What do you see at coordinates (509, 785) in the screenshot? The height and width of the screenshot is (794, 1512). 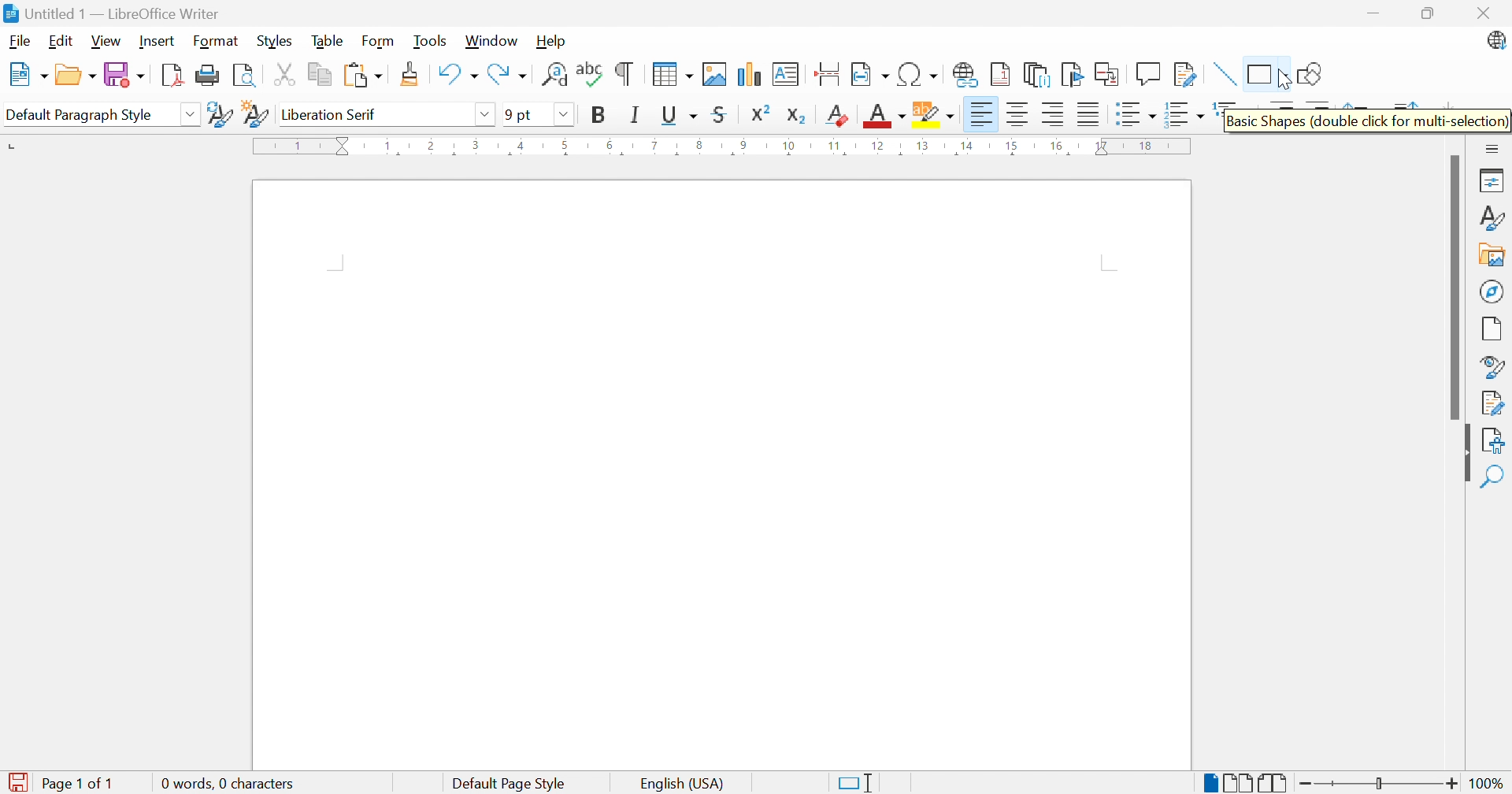 I see `Default Page Style` at bounding box center [509, 785].